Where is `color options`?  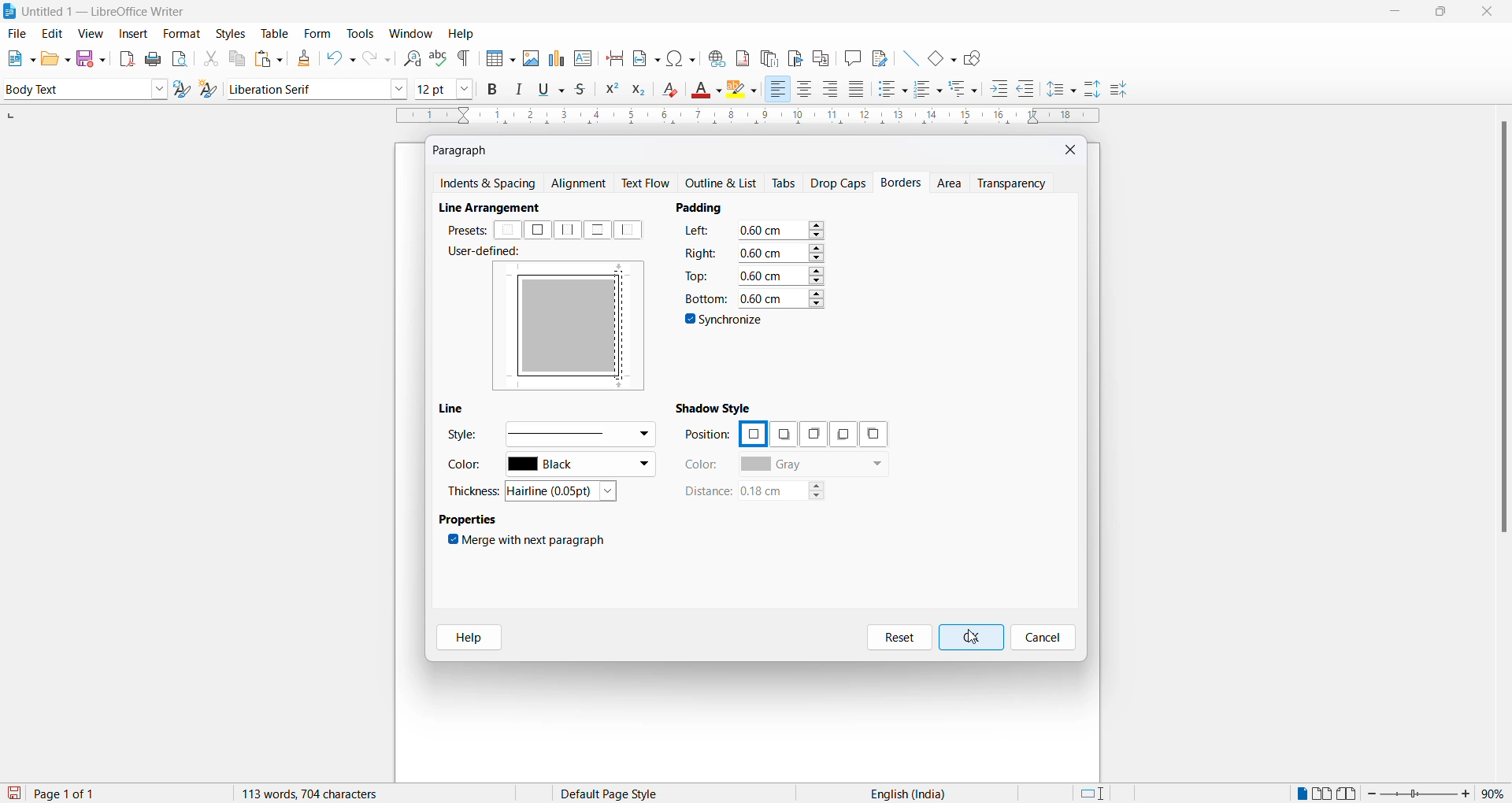 color options is located at coordinates (580, 466).